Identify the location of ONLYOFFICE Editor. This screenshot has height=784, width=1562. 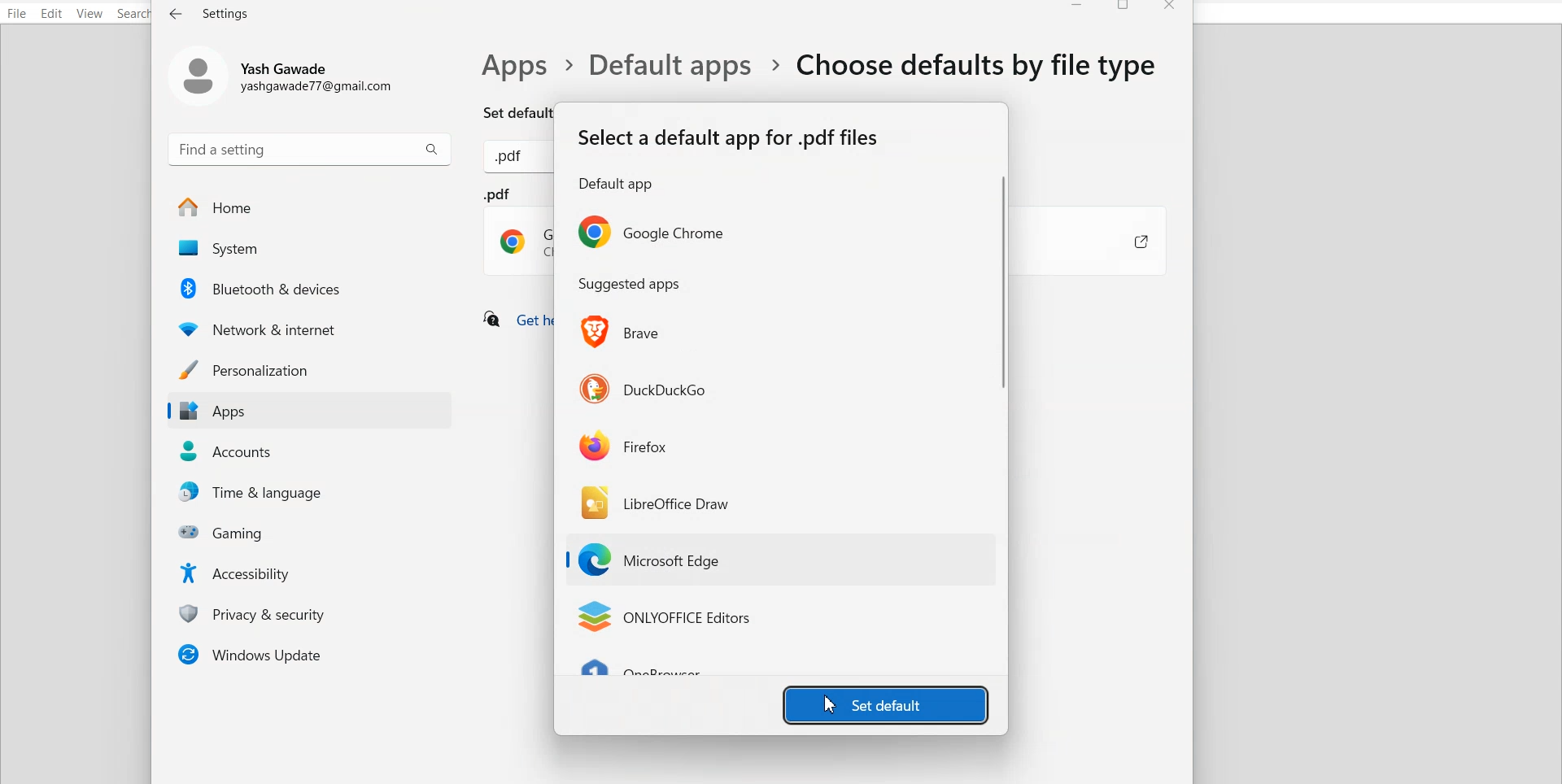
(664, 617).